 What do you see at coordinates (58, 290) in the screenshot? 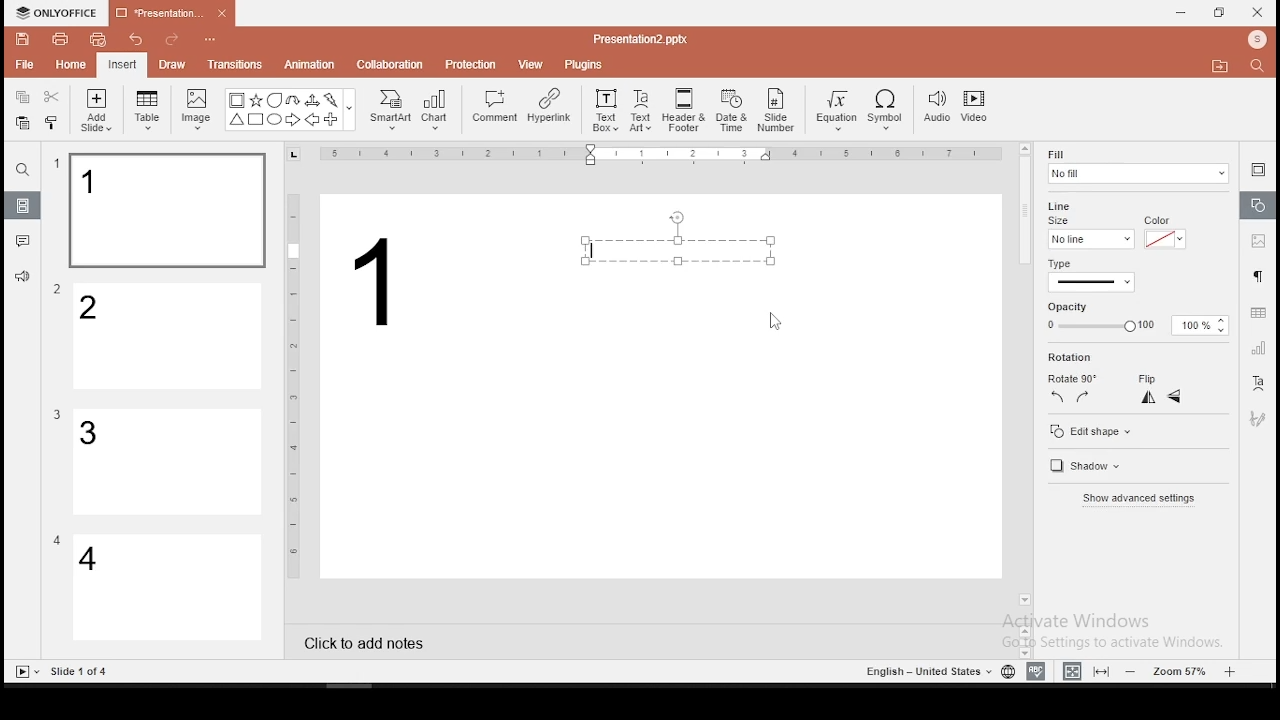
I see `` at bounding box center [58, 290].